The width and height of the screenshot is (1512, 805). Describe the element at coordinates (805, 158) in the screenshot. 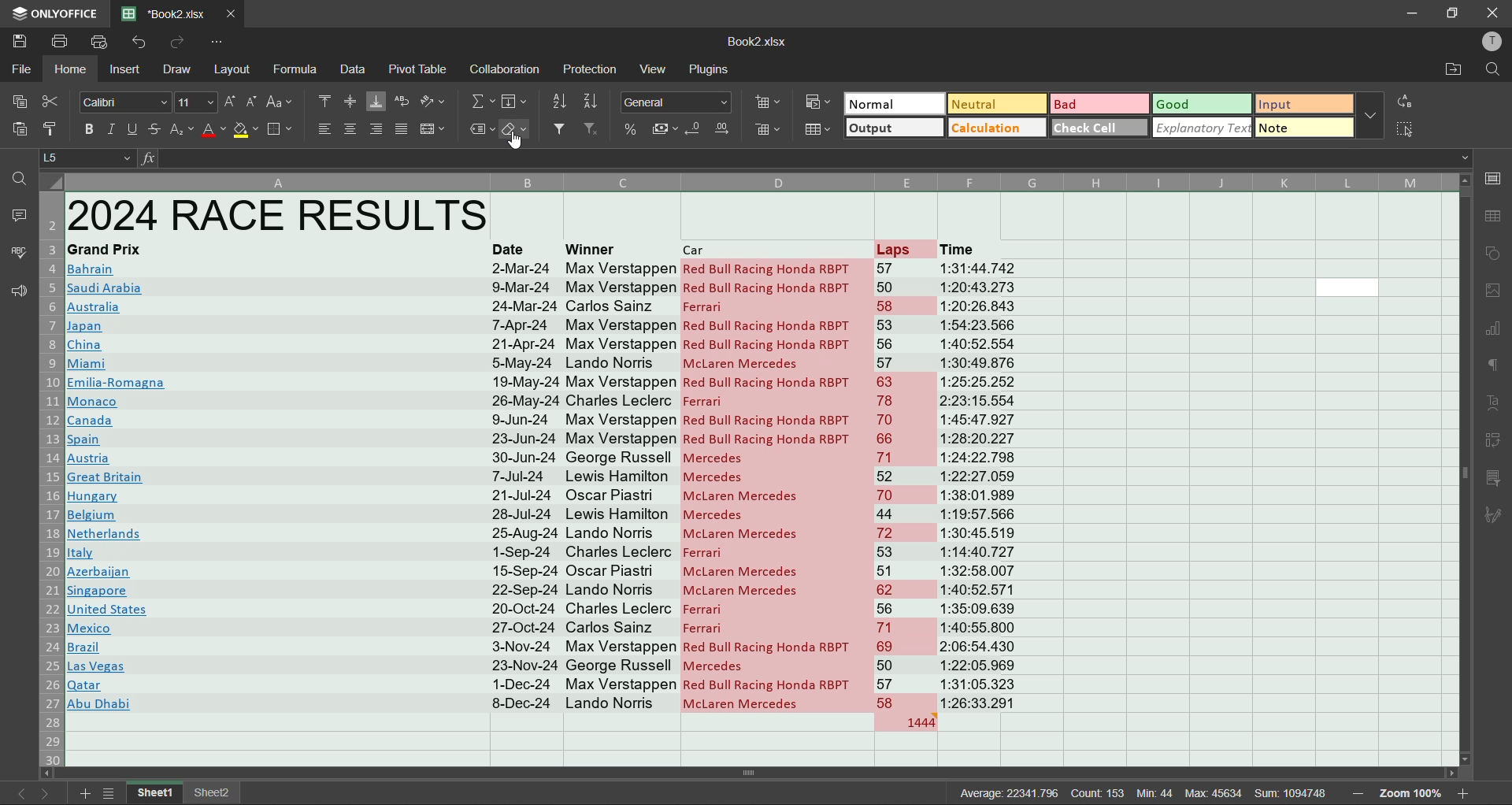

I see `formula bar` at that location.